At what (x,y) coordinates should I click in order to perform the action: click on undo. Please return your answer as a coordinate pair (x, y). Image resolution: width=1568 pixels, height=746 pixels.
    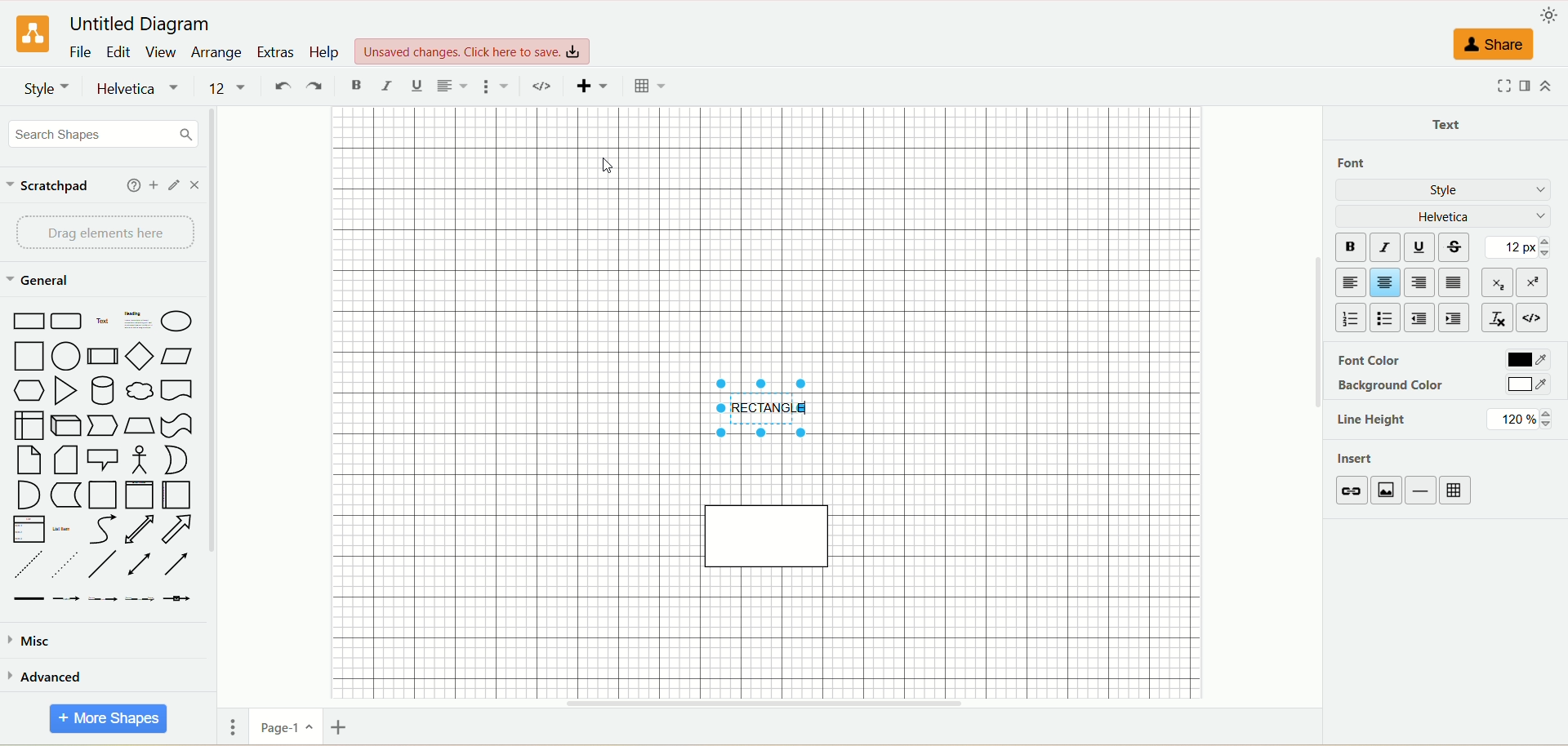
    Looking at the image, I should click on (283, 88).